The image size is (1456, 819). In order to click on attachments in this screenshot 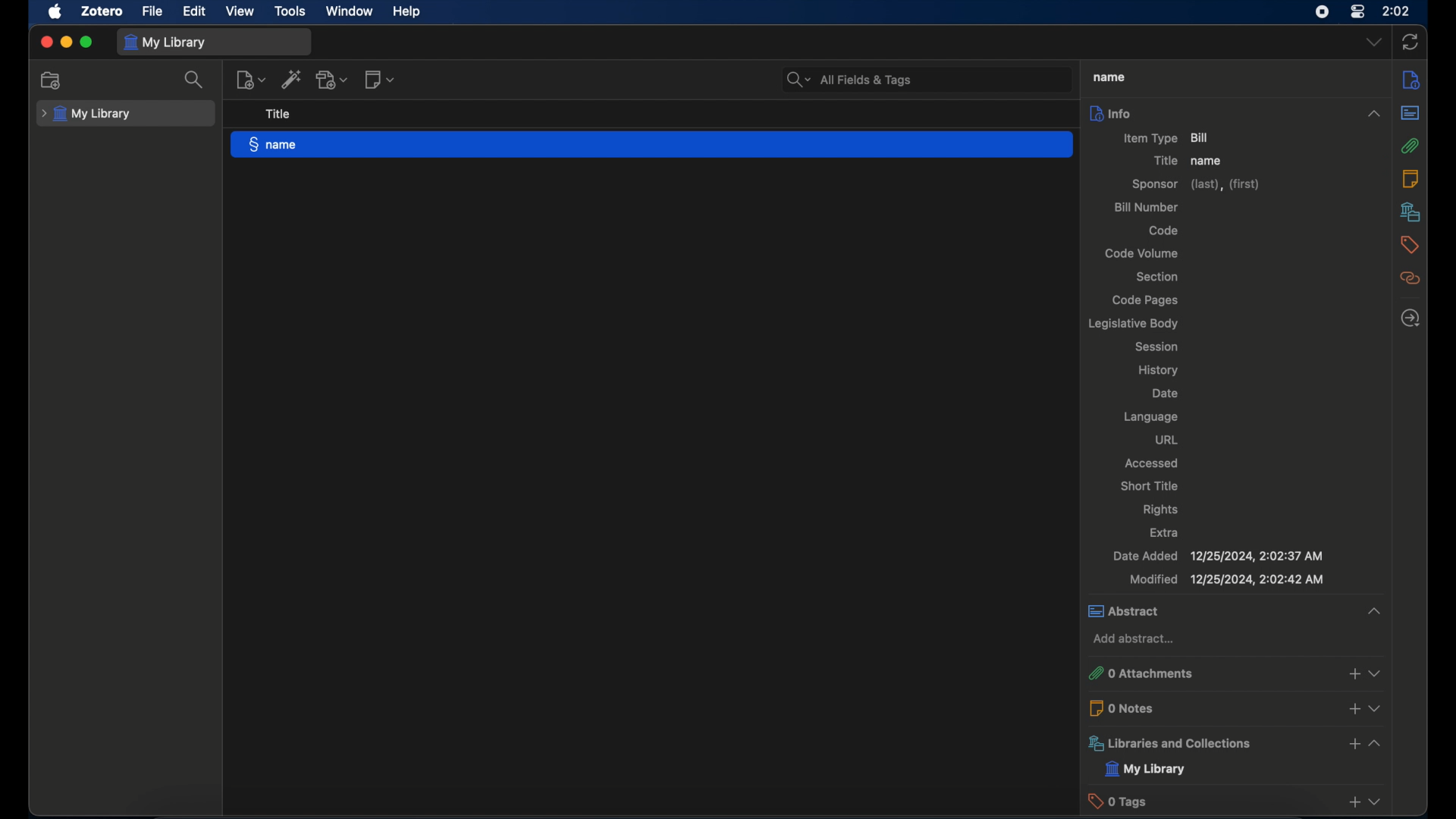, I will do `click(1410, 146)`.